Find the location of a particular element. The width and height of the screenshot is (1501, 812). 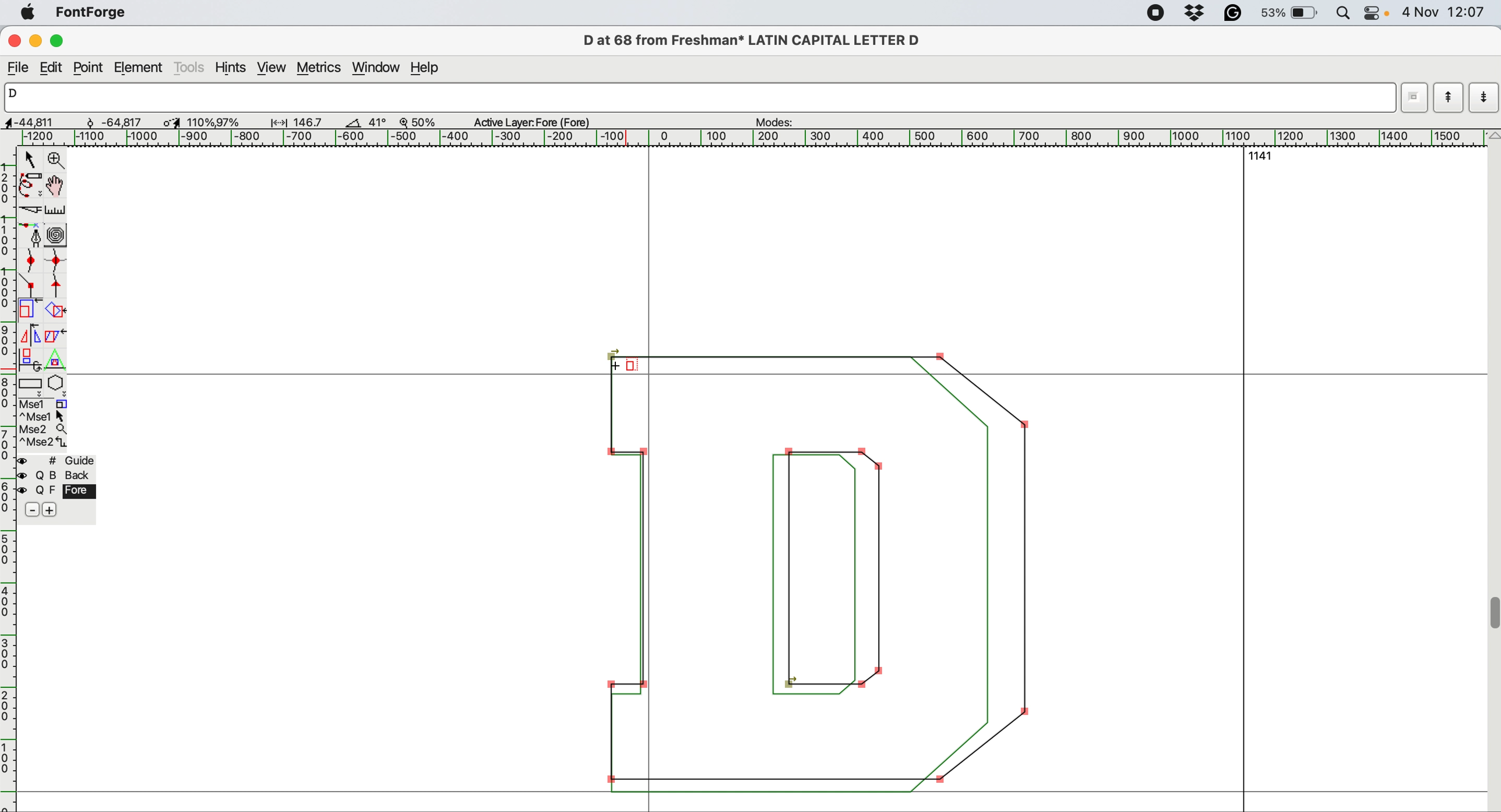

D at 68 from Freshman* LATIN CAPITAL LETTER D is located at coordinates (756, 40).